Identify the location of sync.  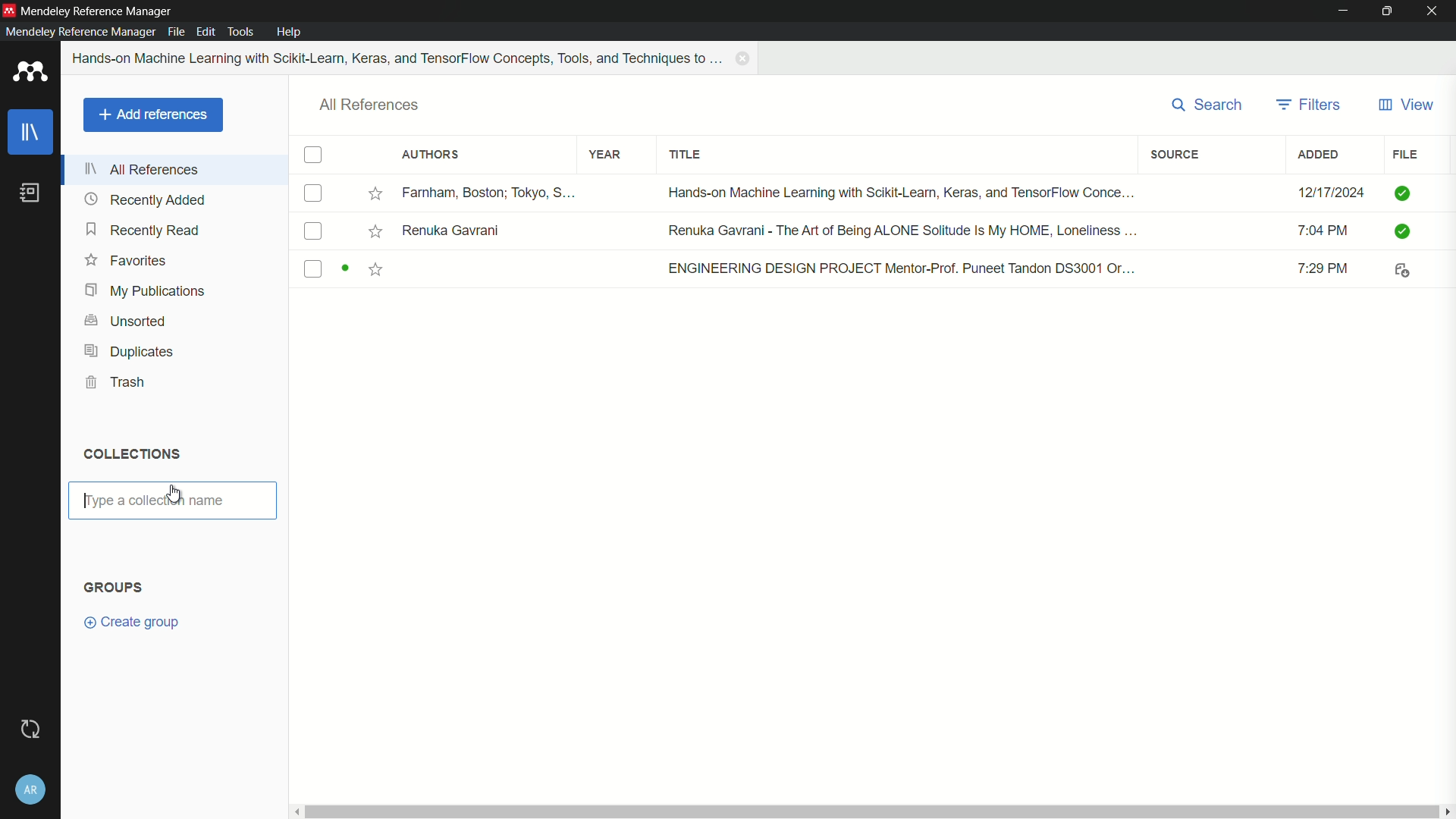
(31, 730).